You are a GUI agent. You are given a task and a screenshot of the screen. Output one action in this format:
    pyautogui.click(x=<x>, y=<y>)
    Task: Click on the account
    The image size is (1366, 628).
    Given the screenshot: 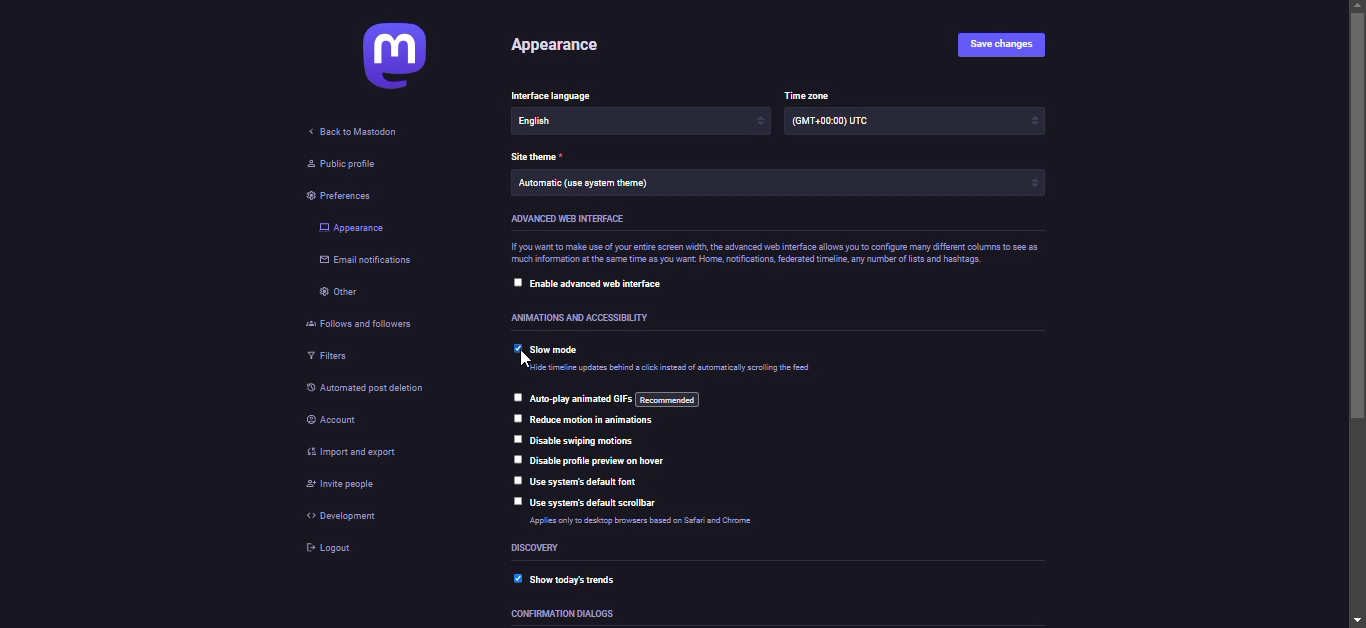 What is the action you would take?
    pyautogui.click(x=337, y=420)
    